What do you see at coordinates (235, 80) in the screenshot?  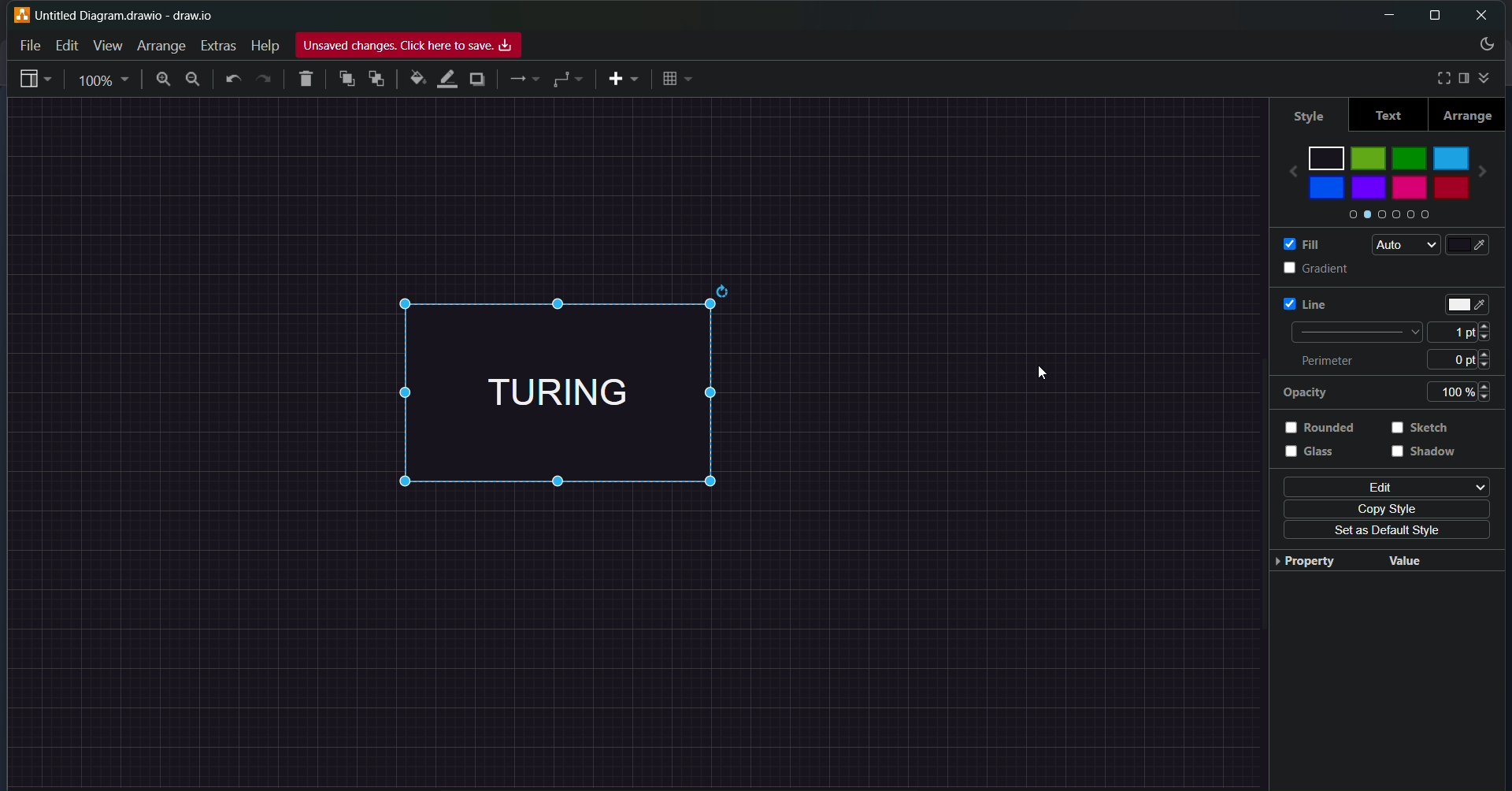 I see `undo` at bounding box center [235, 80].